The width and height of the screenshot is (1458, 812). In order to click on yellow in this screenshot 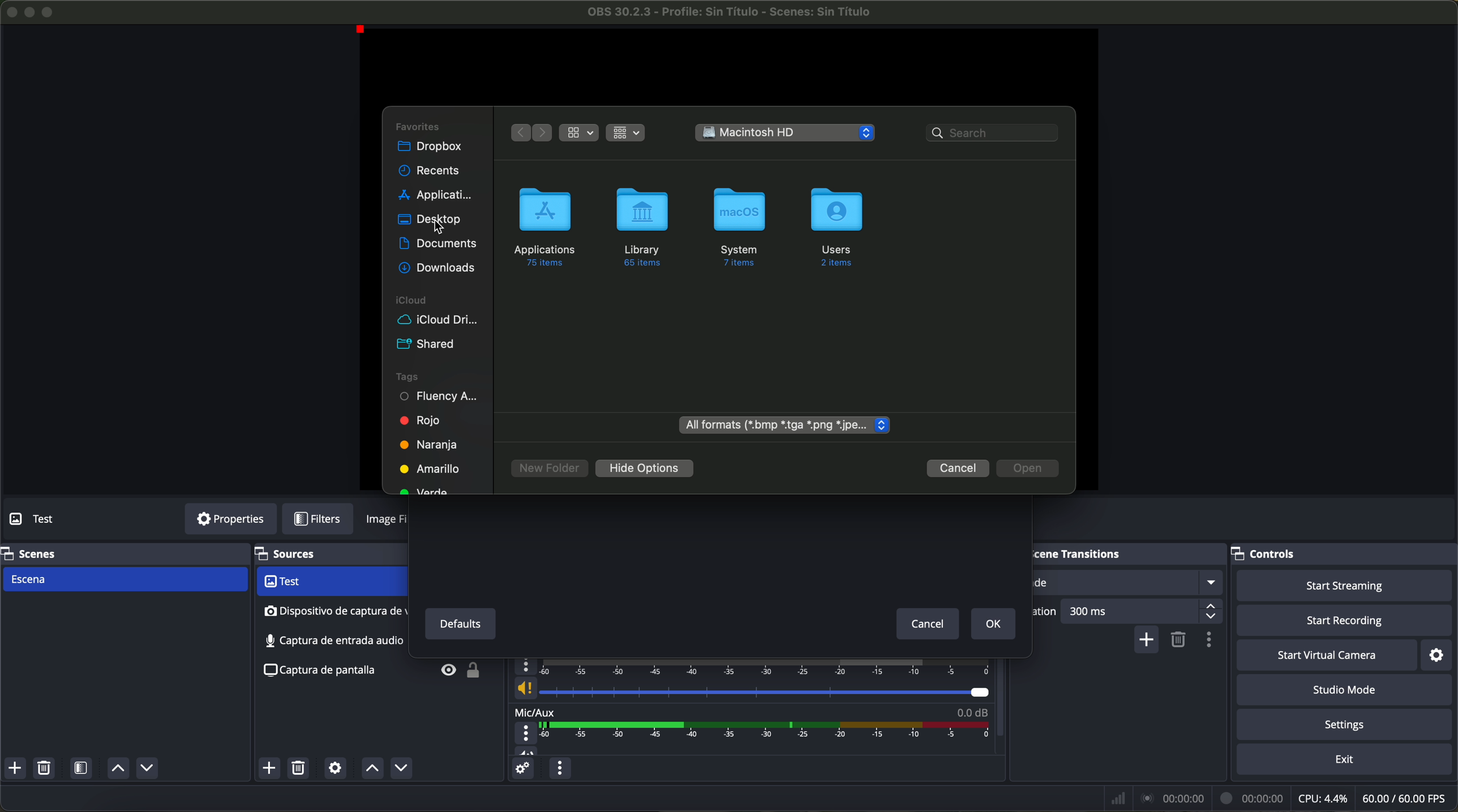, I will do `click(428, 468)`.